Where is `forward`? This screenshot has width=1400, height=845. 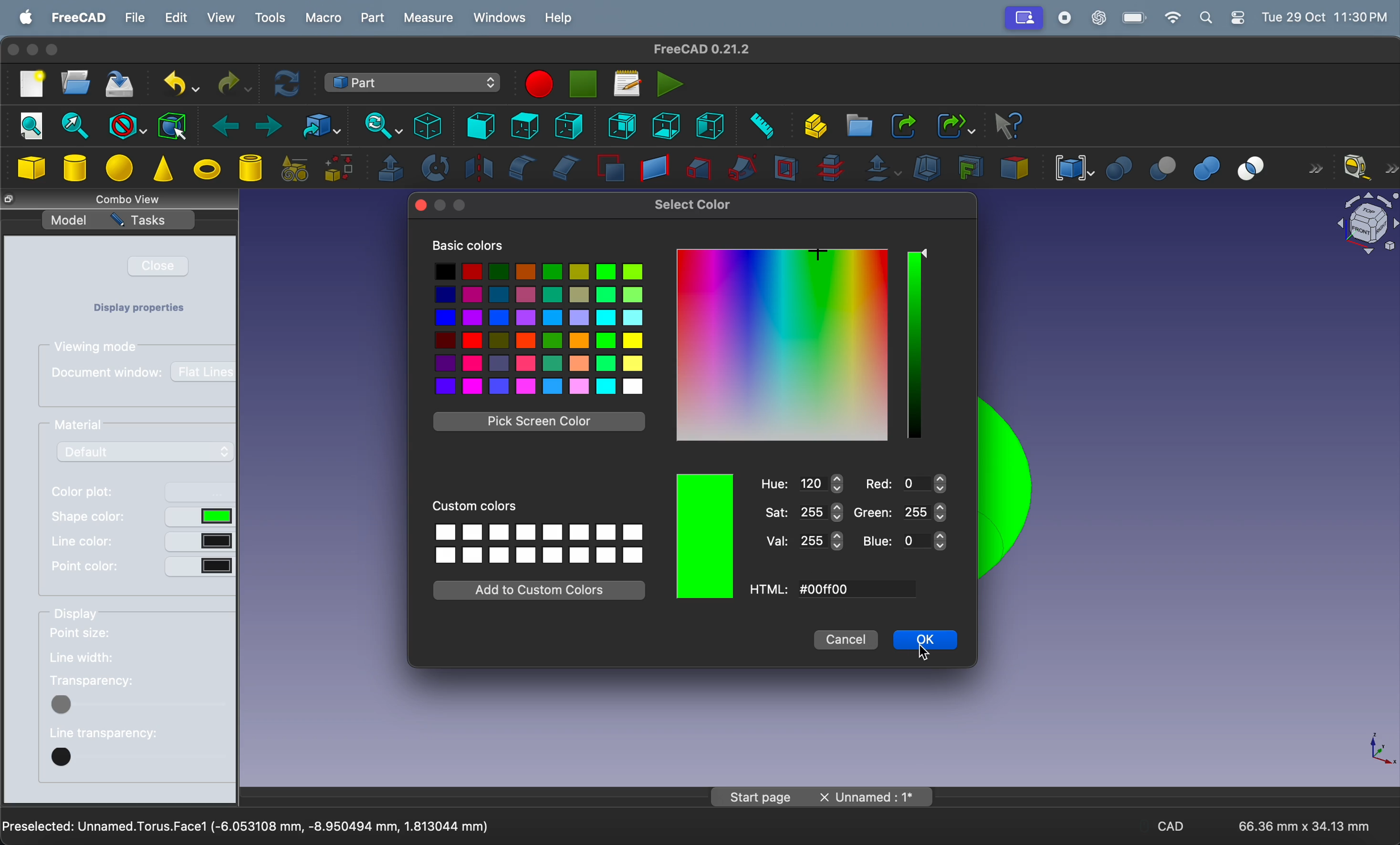 forward is located at coordinates (1314, 167).